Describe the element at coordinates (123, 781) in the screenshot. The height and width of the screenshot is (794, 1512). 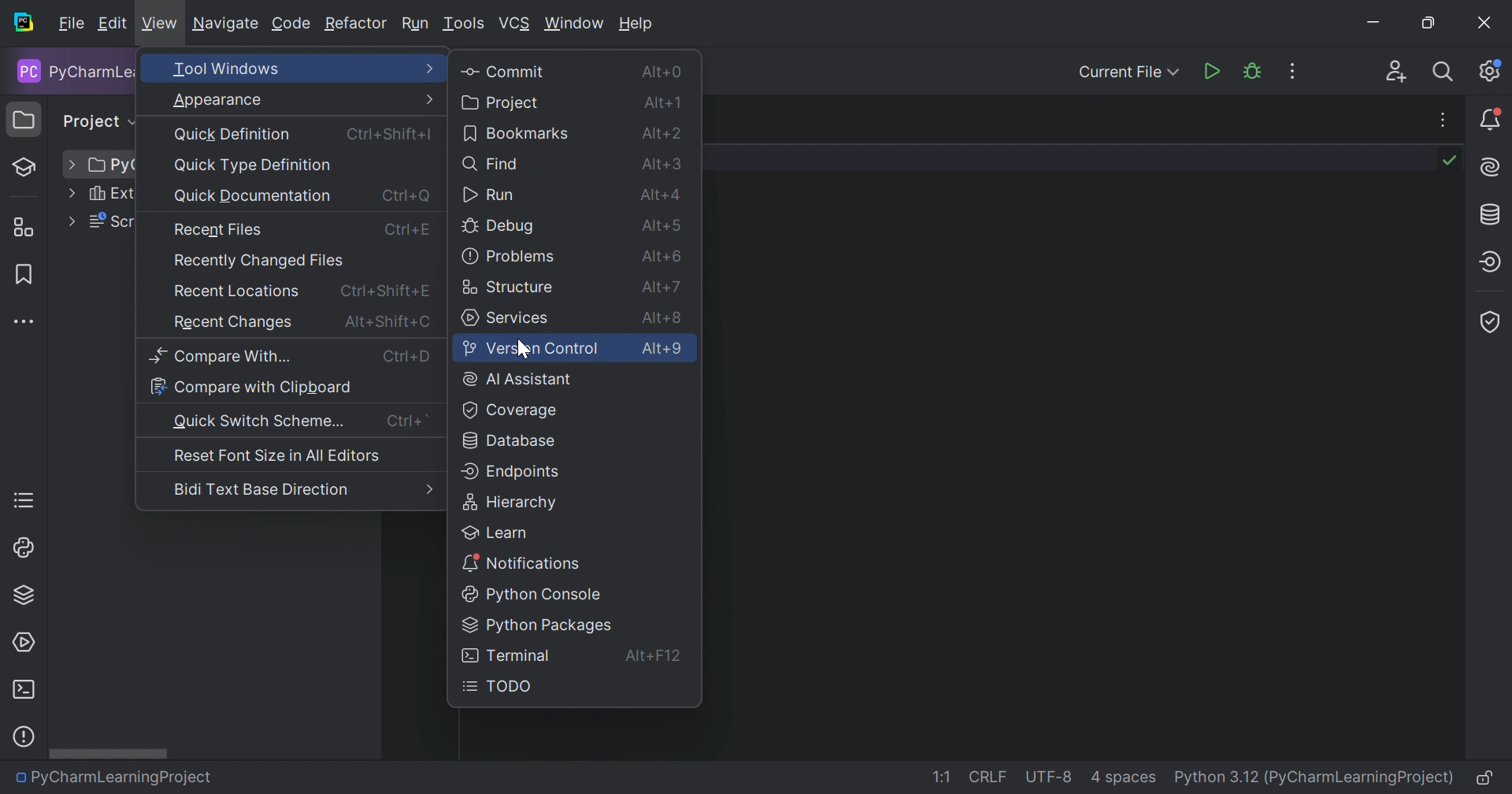
I see `PyCharmLearningProject` at that location.